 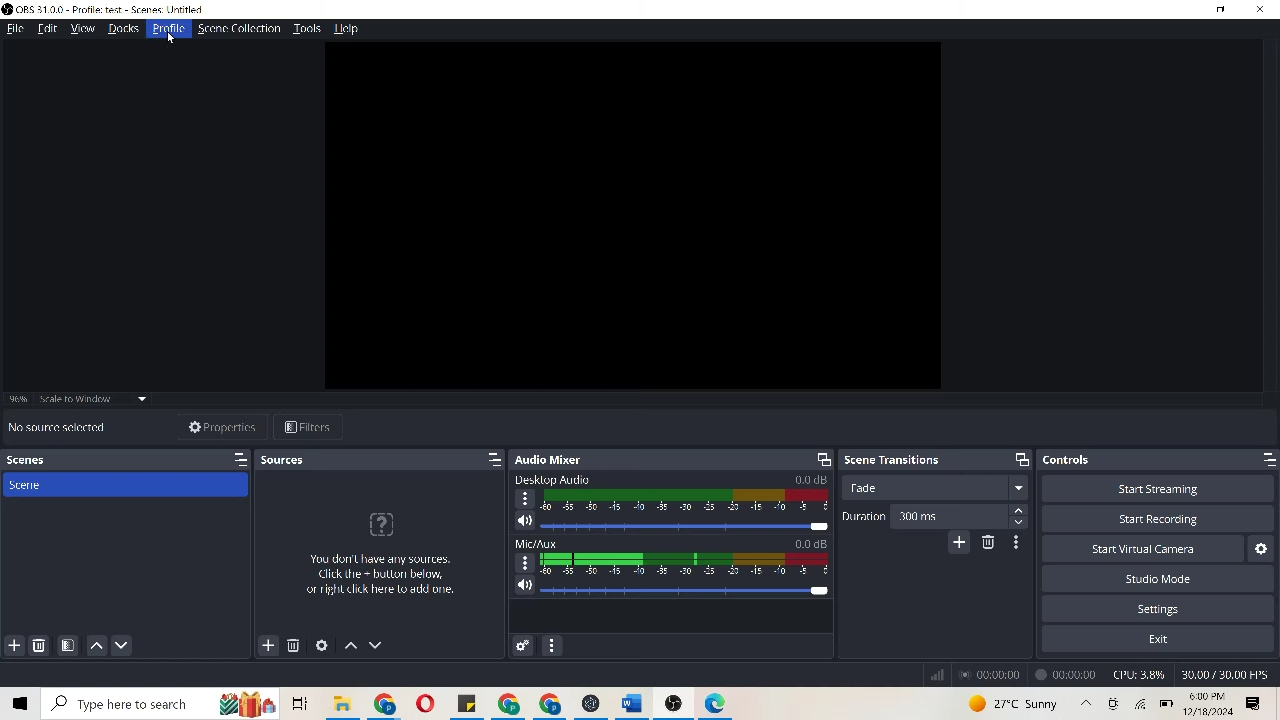 I want to click on audio mixer, so click(x=558, y=458).